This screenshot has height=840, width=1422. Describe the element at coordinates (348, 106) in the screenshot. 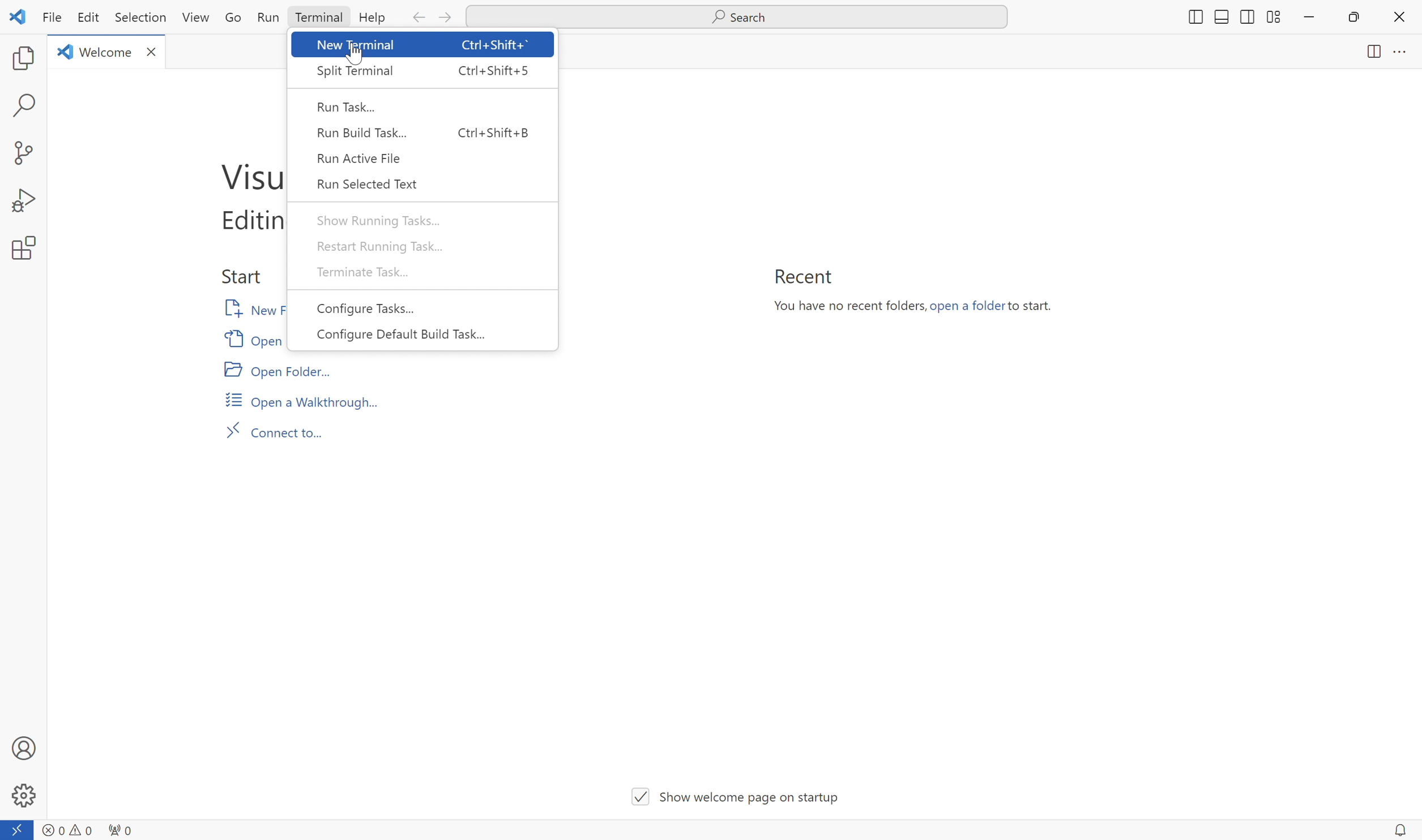

I see `Run Task...` at that location.